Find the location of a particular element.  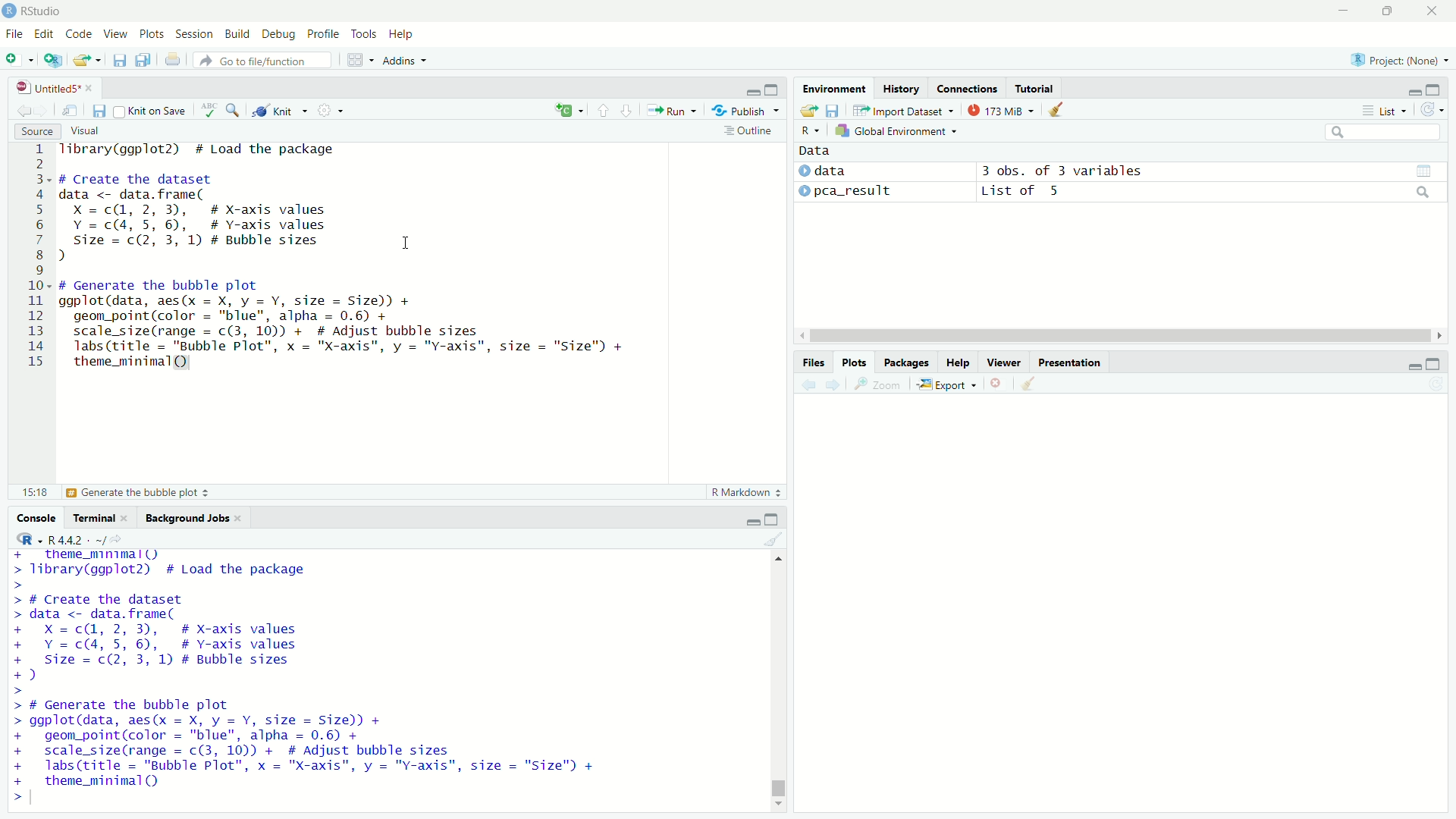

untitled 5 is located at coordinates (51, 88).